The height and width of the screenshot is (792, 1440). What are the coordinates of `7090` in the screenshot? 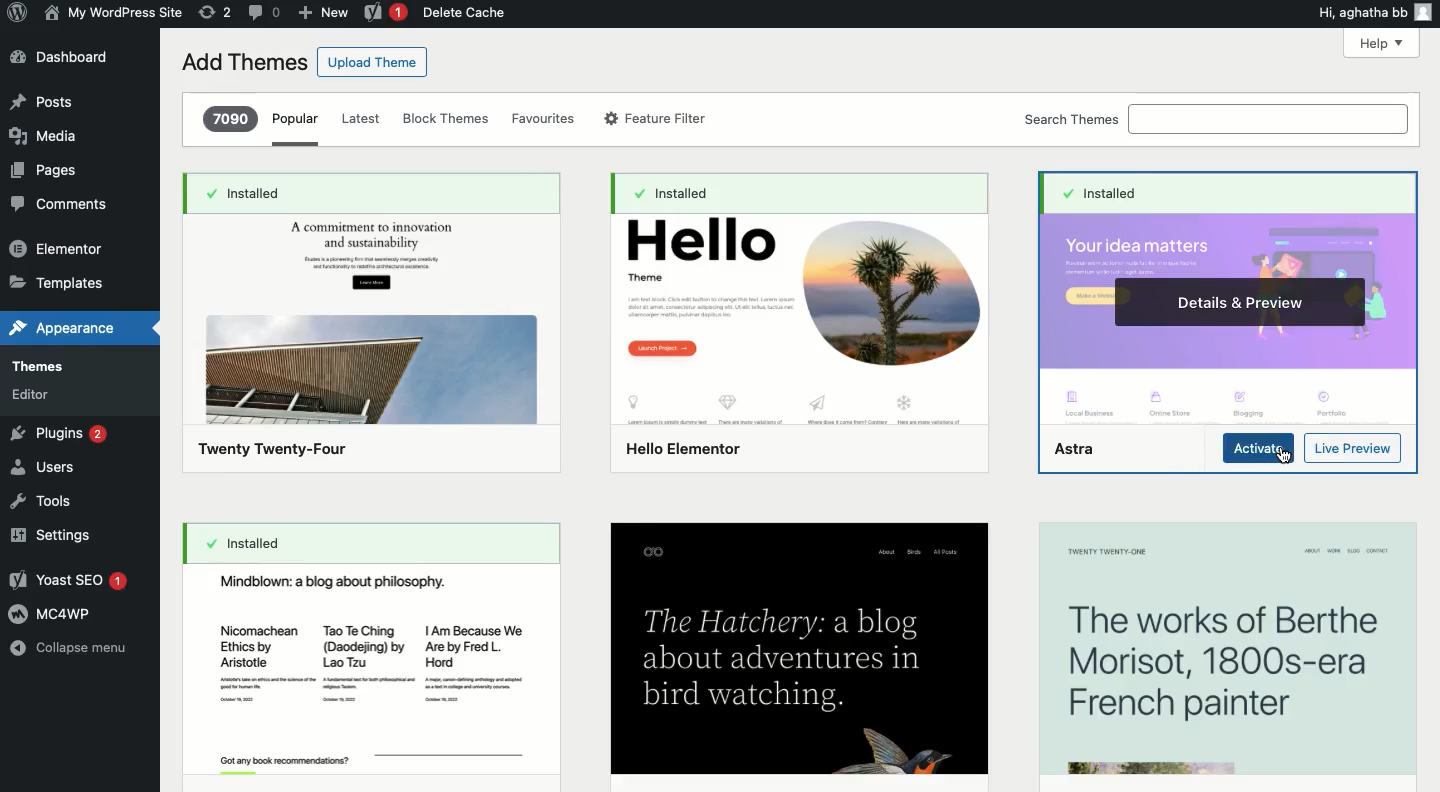 It's located at (230, 119).